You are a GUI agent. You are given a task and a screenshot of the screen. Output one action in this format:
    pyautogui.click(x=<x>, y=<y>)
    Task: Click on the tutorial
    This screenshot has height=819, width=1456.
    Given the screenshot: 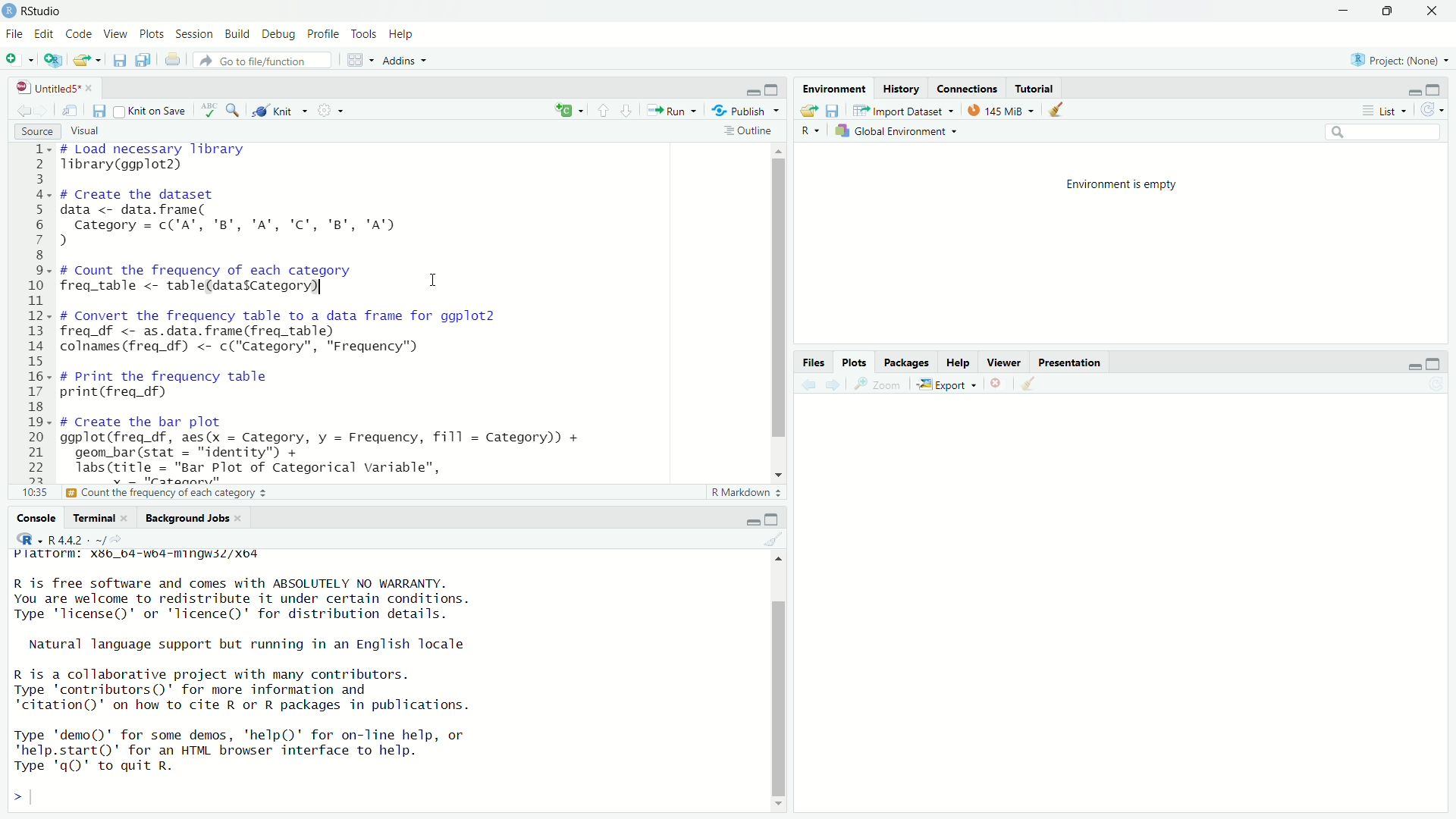 What is the action you would take?
    pyautogui.click(x=1035, y=88)
    